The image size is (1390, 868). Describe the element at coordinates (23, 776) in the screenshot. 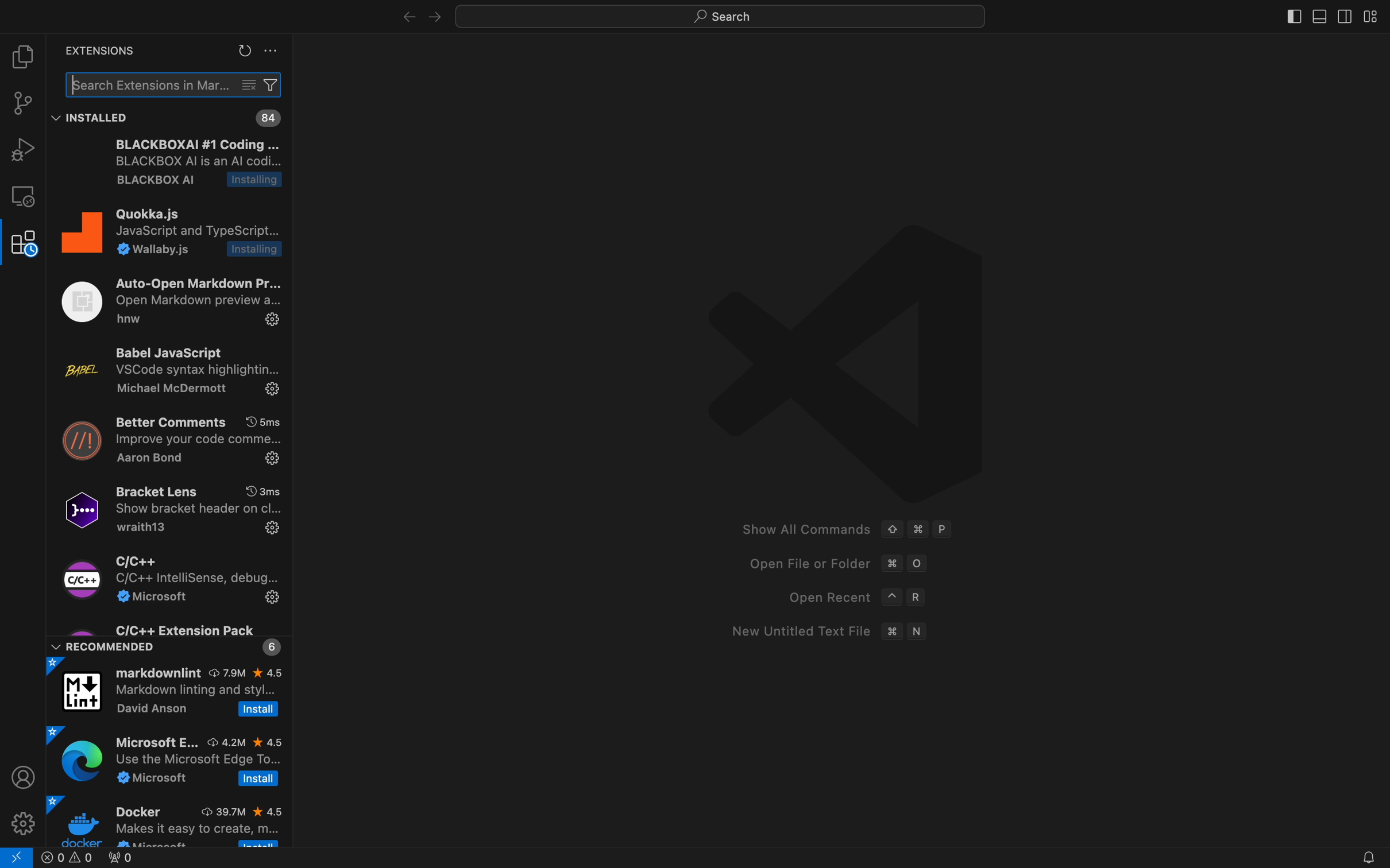

I see `profile` at that location.